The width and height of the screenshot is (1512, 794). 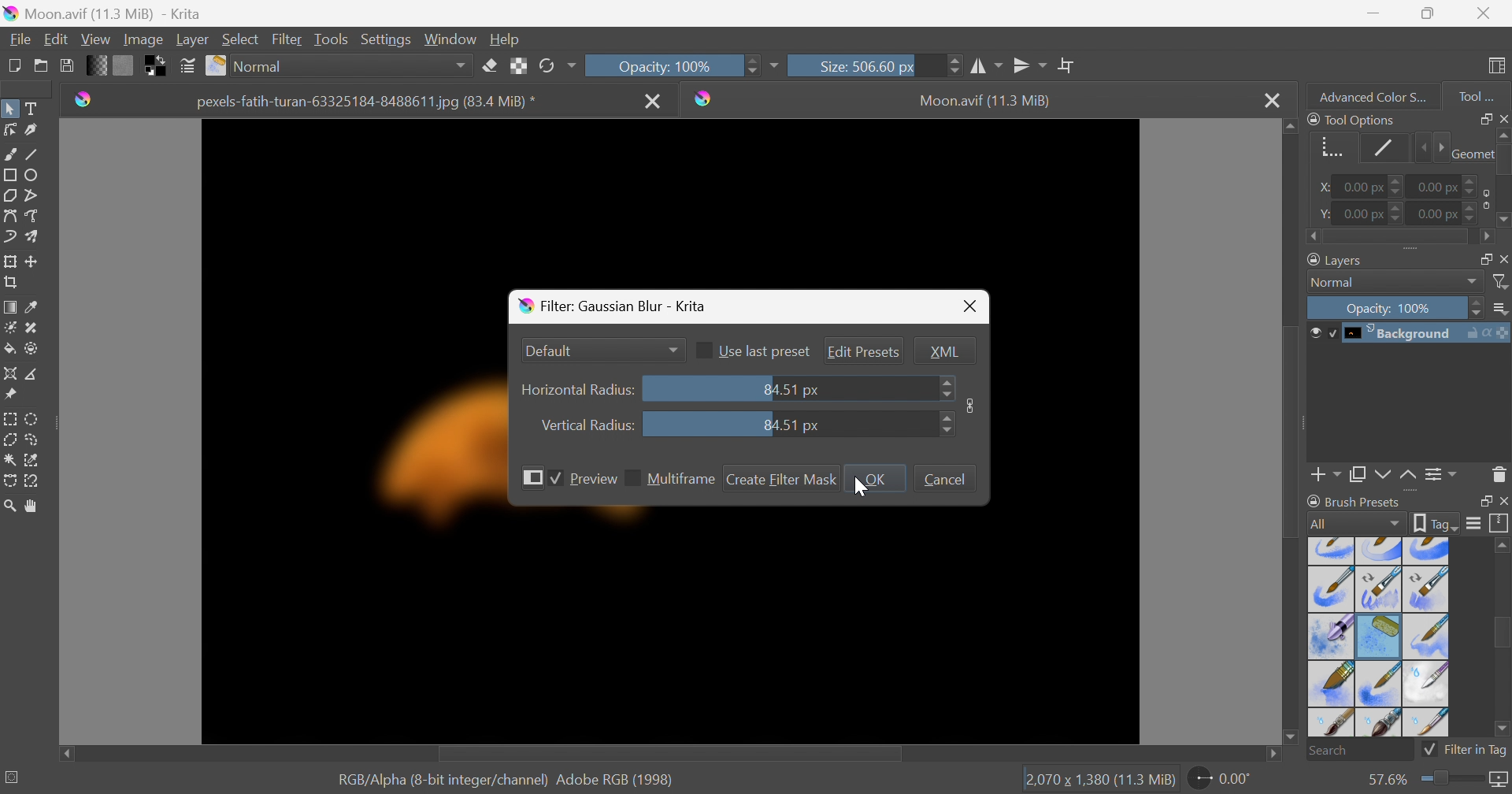 I want to click on Checkbox, so click(x=706, y=350).